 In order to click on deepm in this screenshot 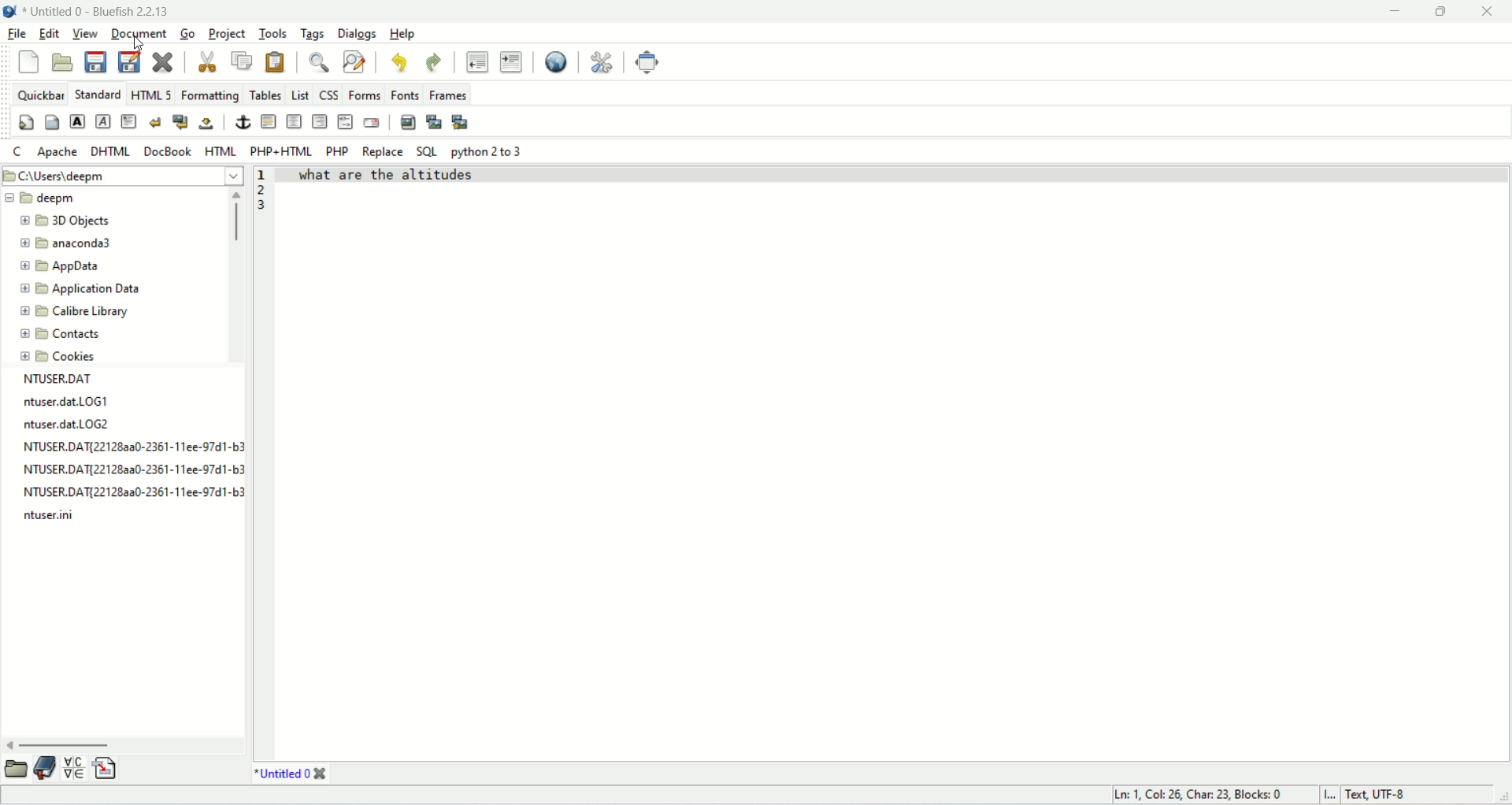, I will do `click(41, 197)`.